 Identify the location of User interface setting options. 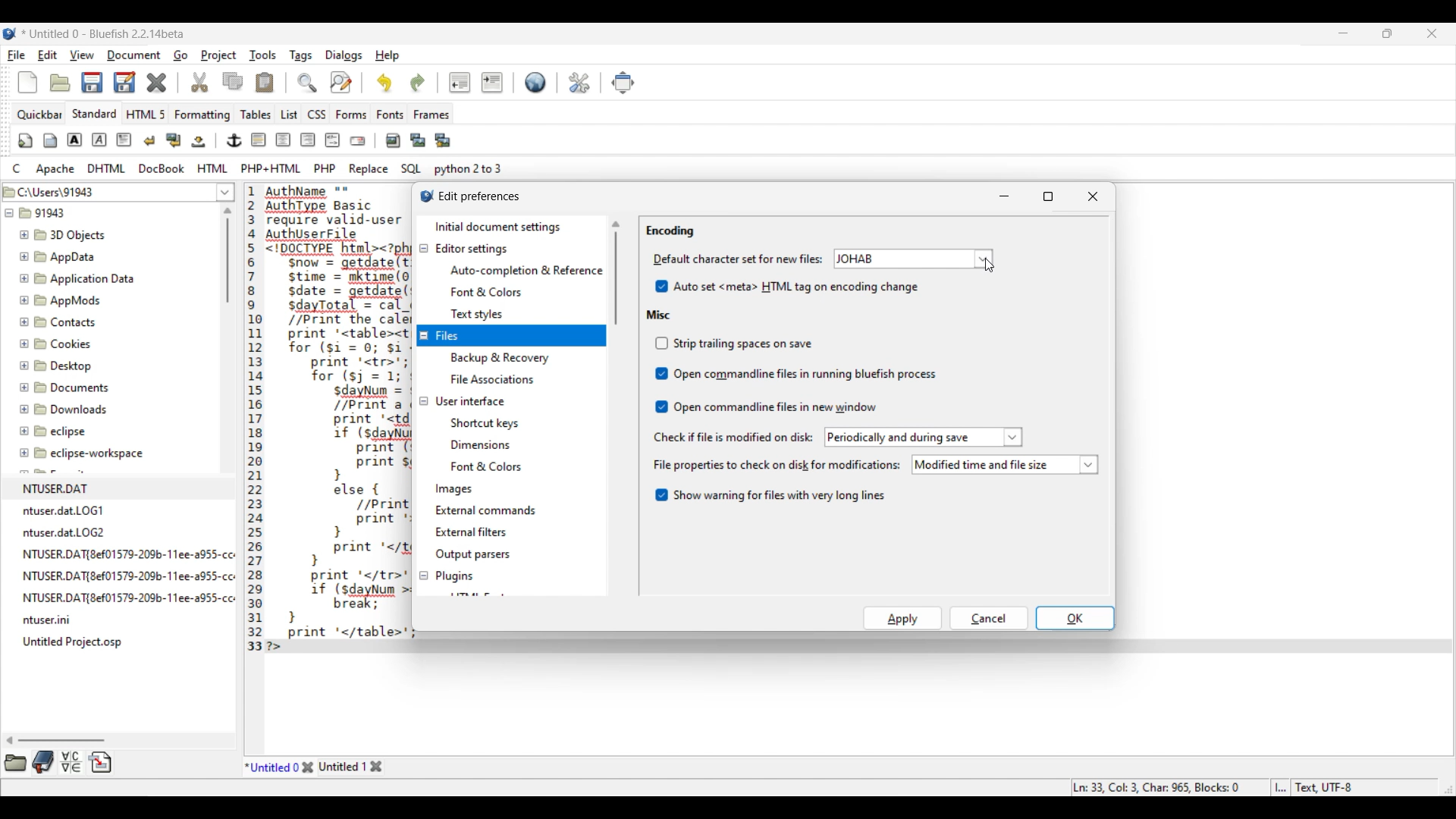
(499, 445).